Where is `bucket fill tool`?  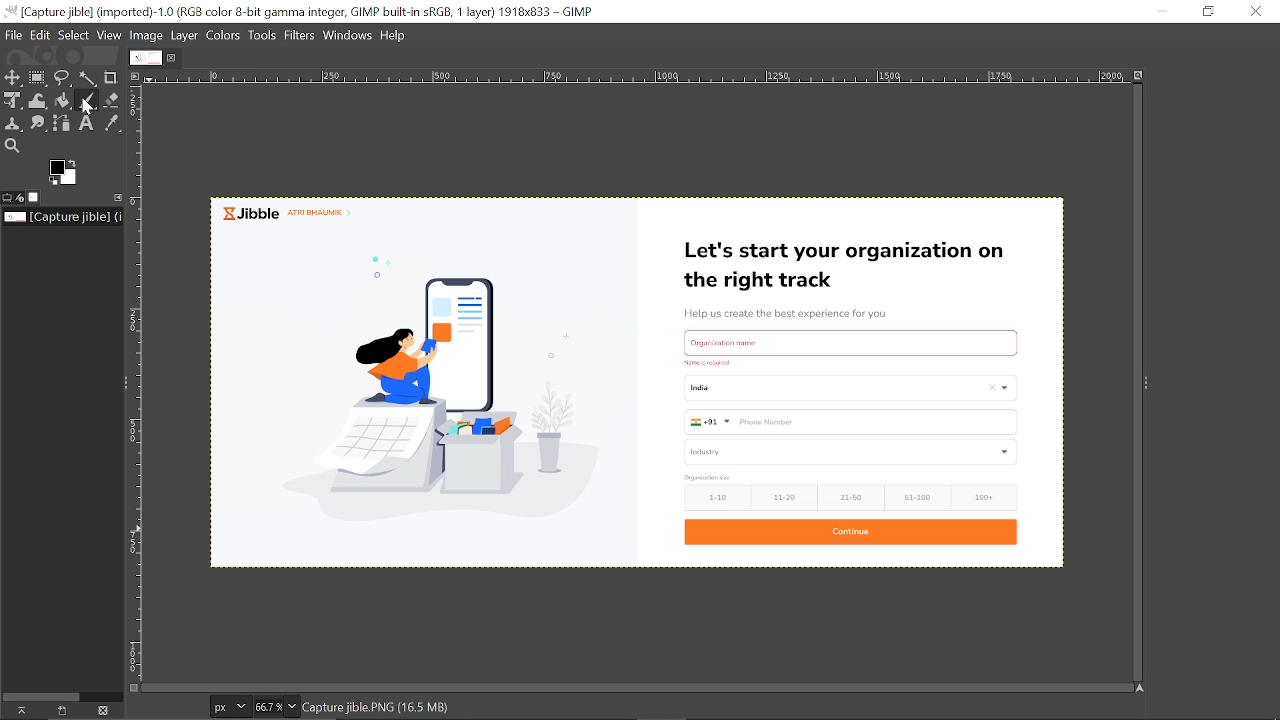
bucket fill tool is located at coordinates (63, 102).